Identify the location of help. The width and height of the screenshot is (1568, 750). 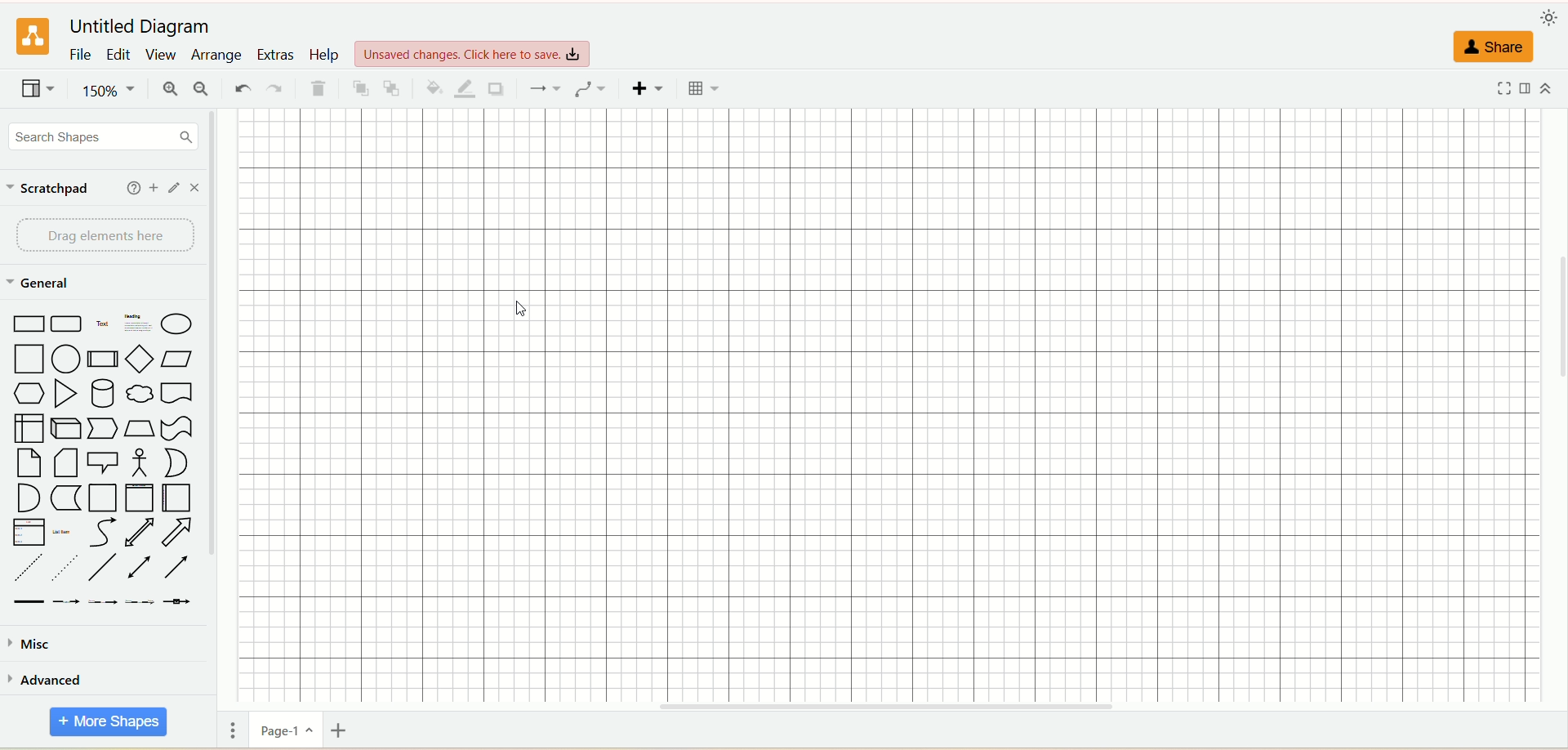
(130, 190).